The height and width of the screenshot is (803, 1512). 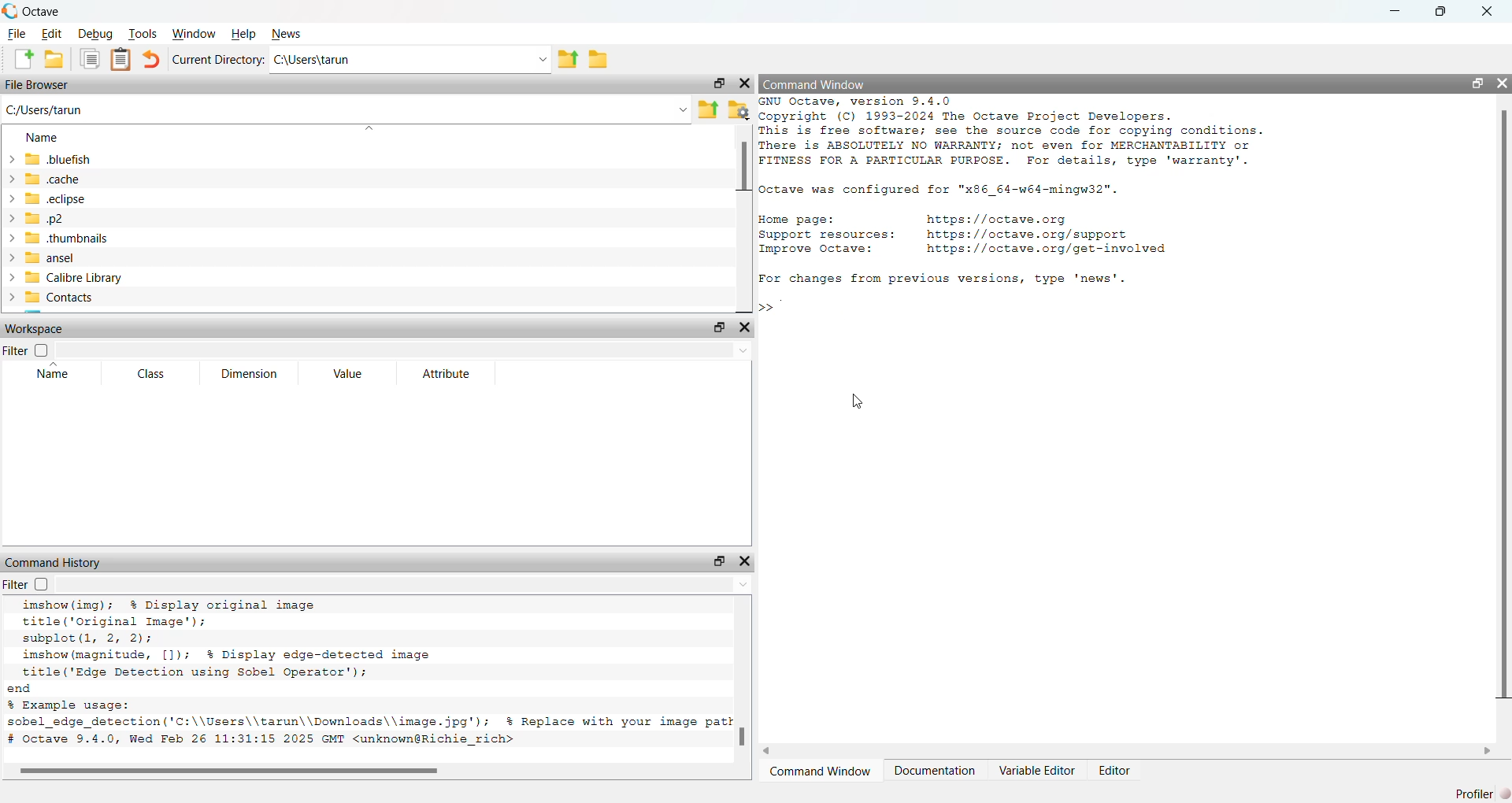 I want to click on Tools, so click(x=143, y=34).